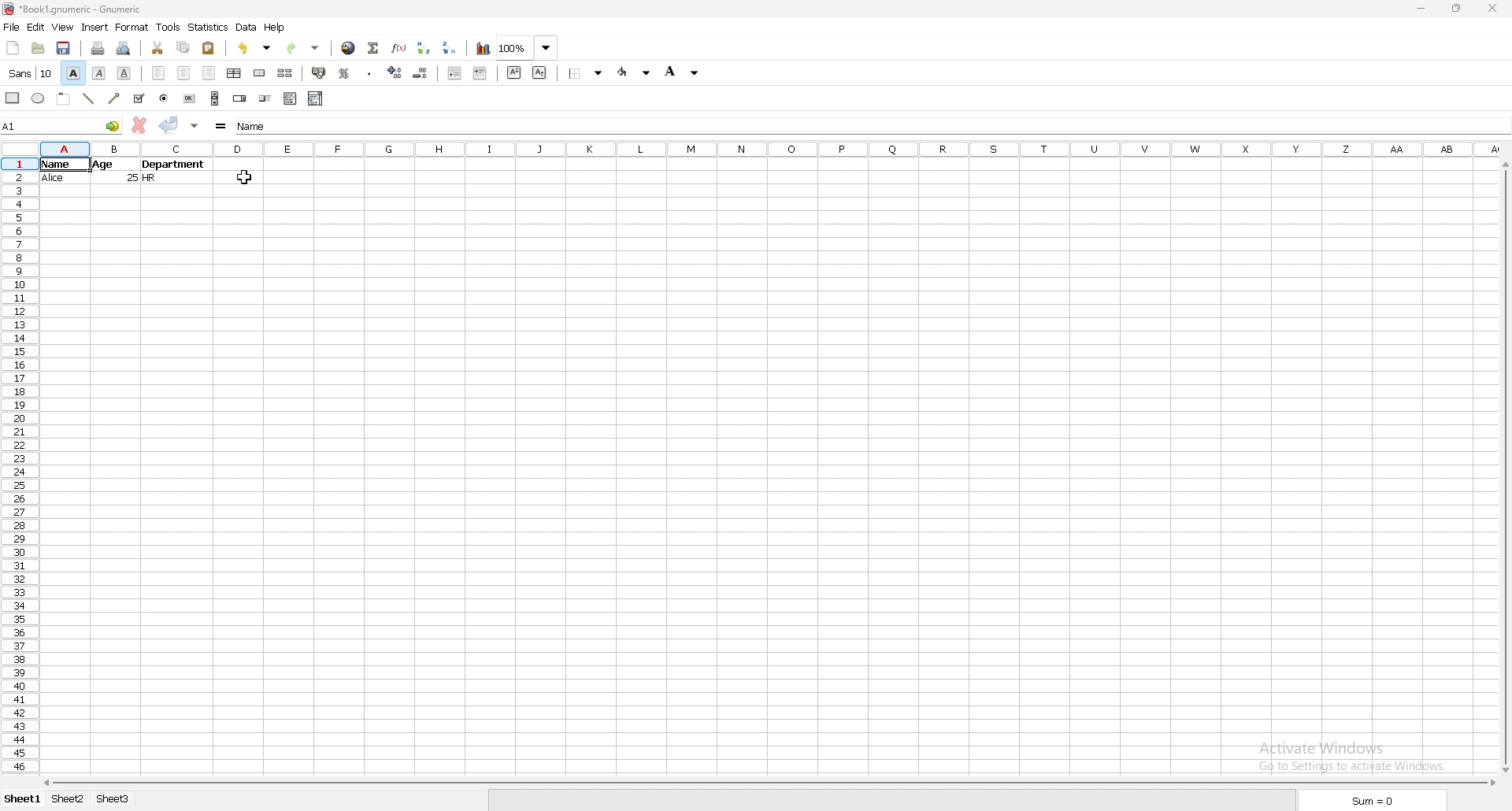  I want to click on frame, so click(66, 99).